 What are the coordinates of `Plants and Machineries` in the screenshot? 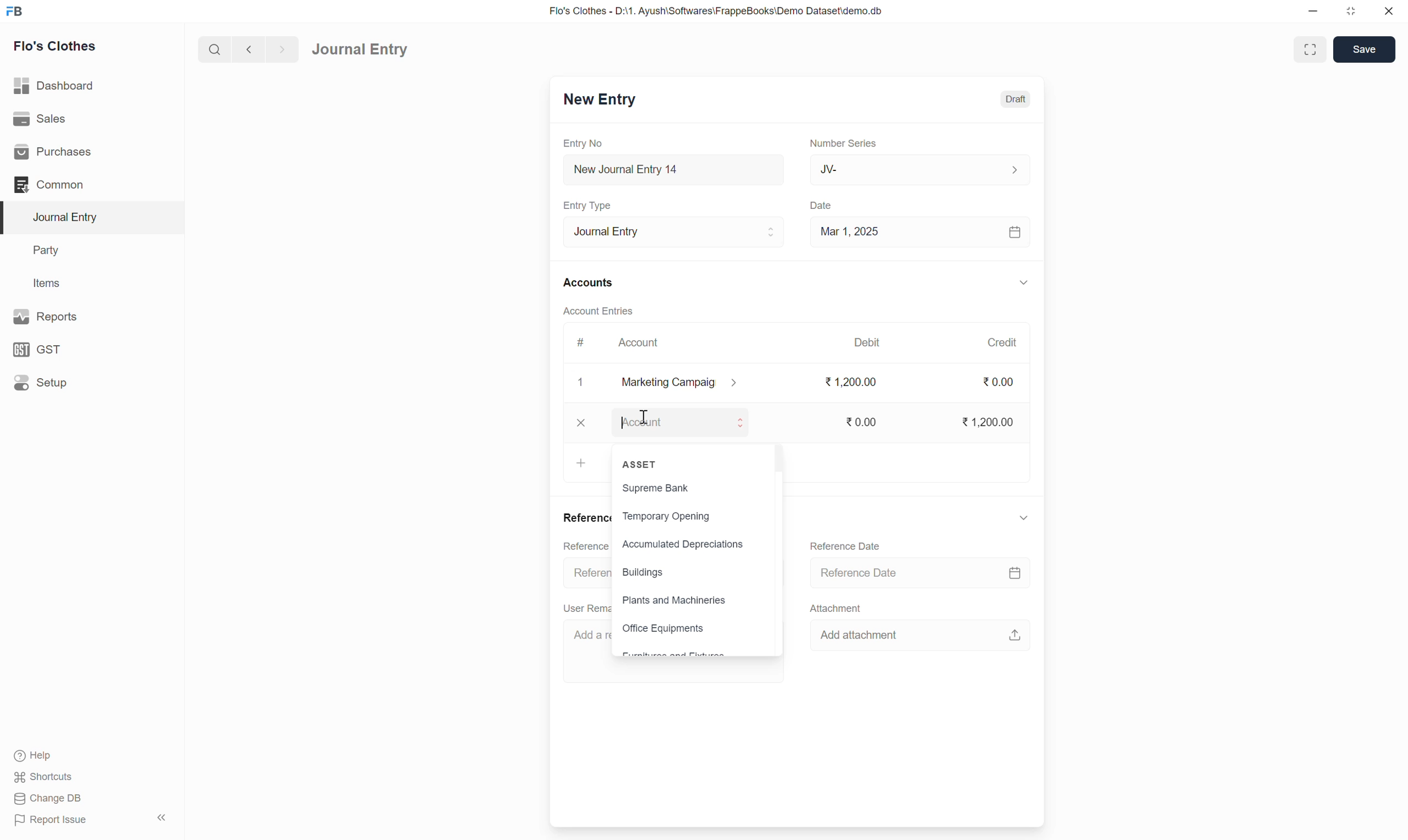 It's located at (676, 601).